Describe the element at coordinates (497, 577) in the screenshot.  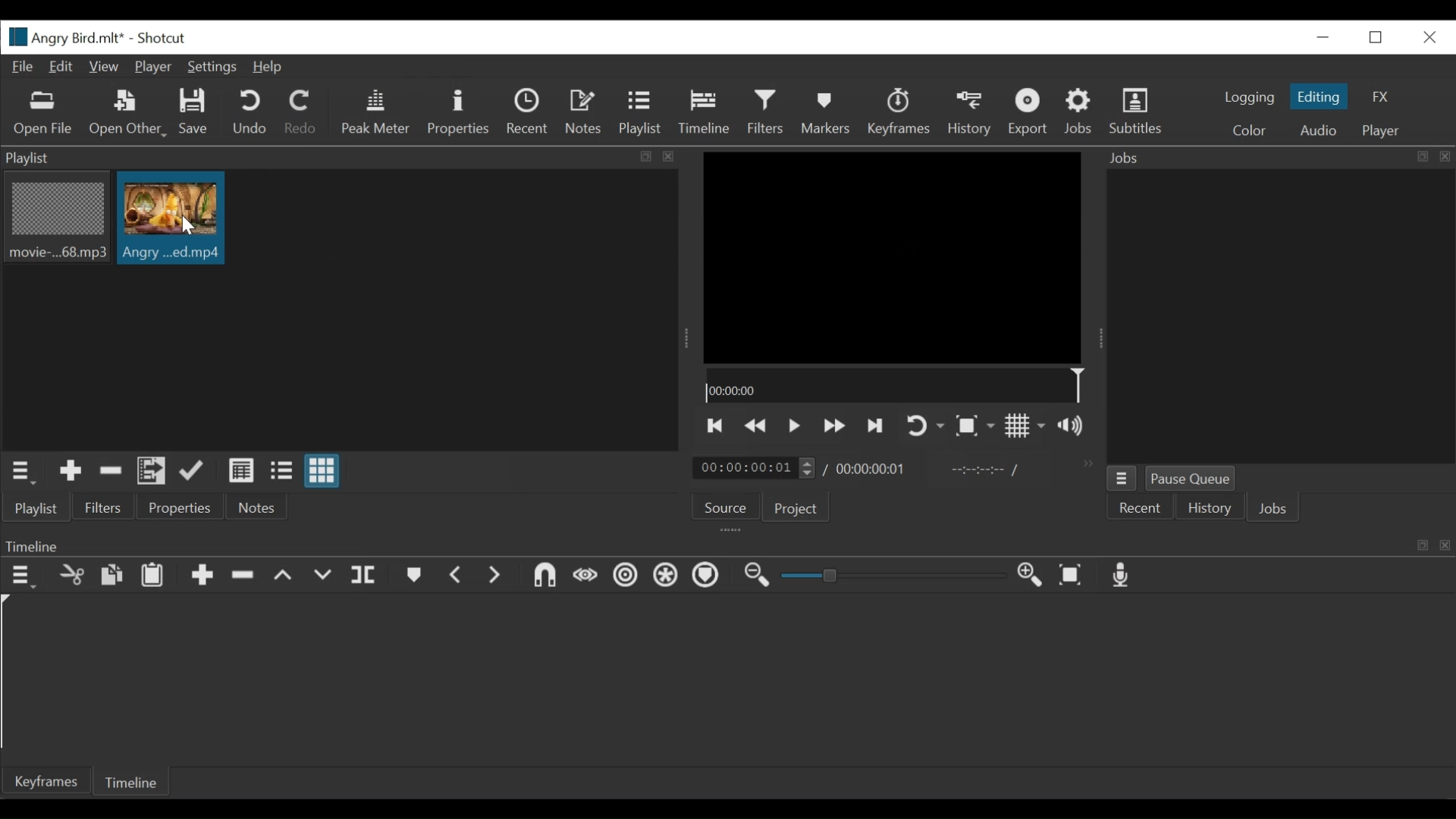
I see `Next Marker` at that location.